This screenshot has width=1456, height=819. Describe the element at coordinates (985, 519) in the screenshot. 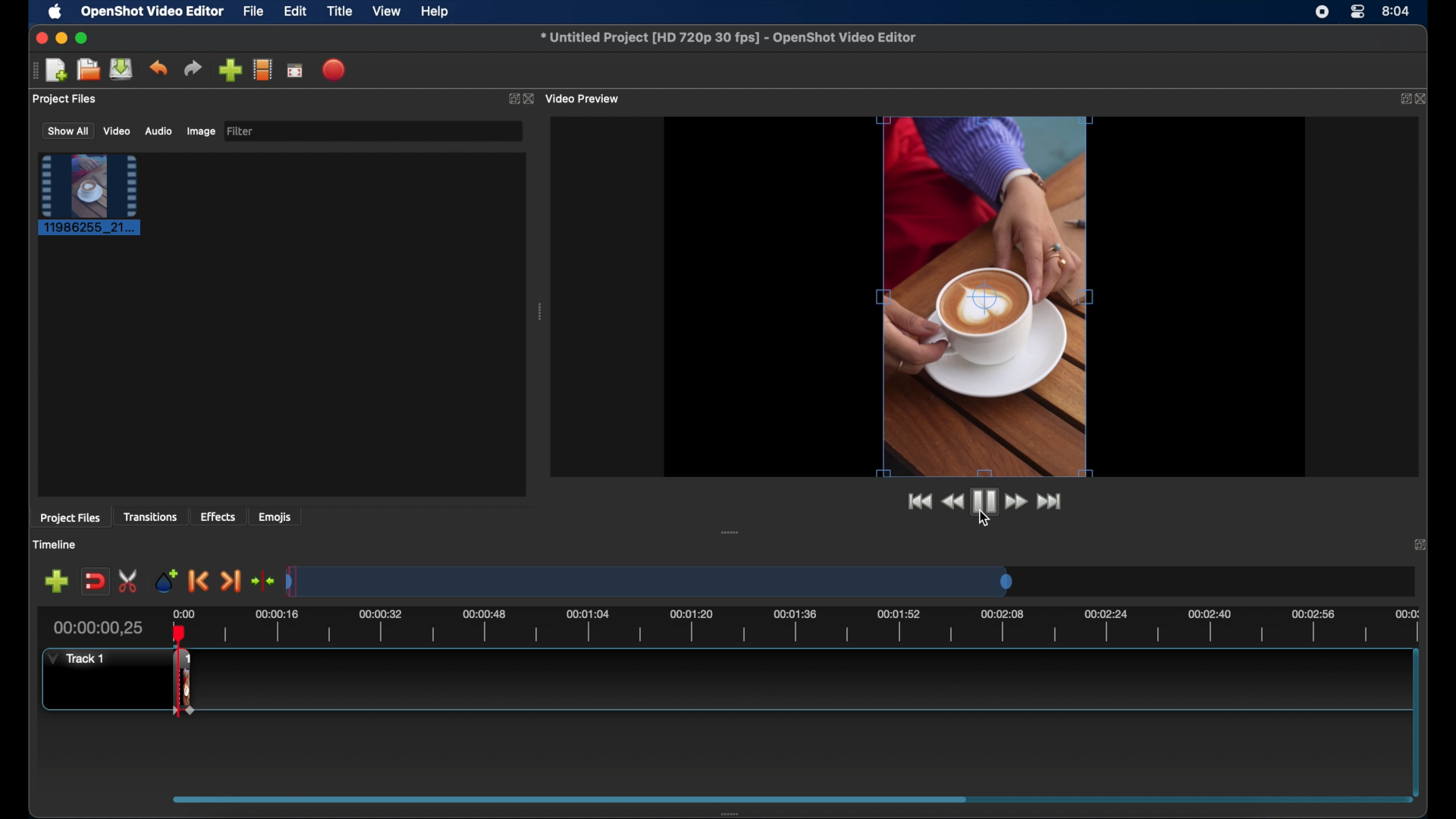

I see `cursor` at that location.